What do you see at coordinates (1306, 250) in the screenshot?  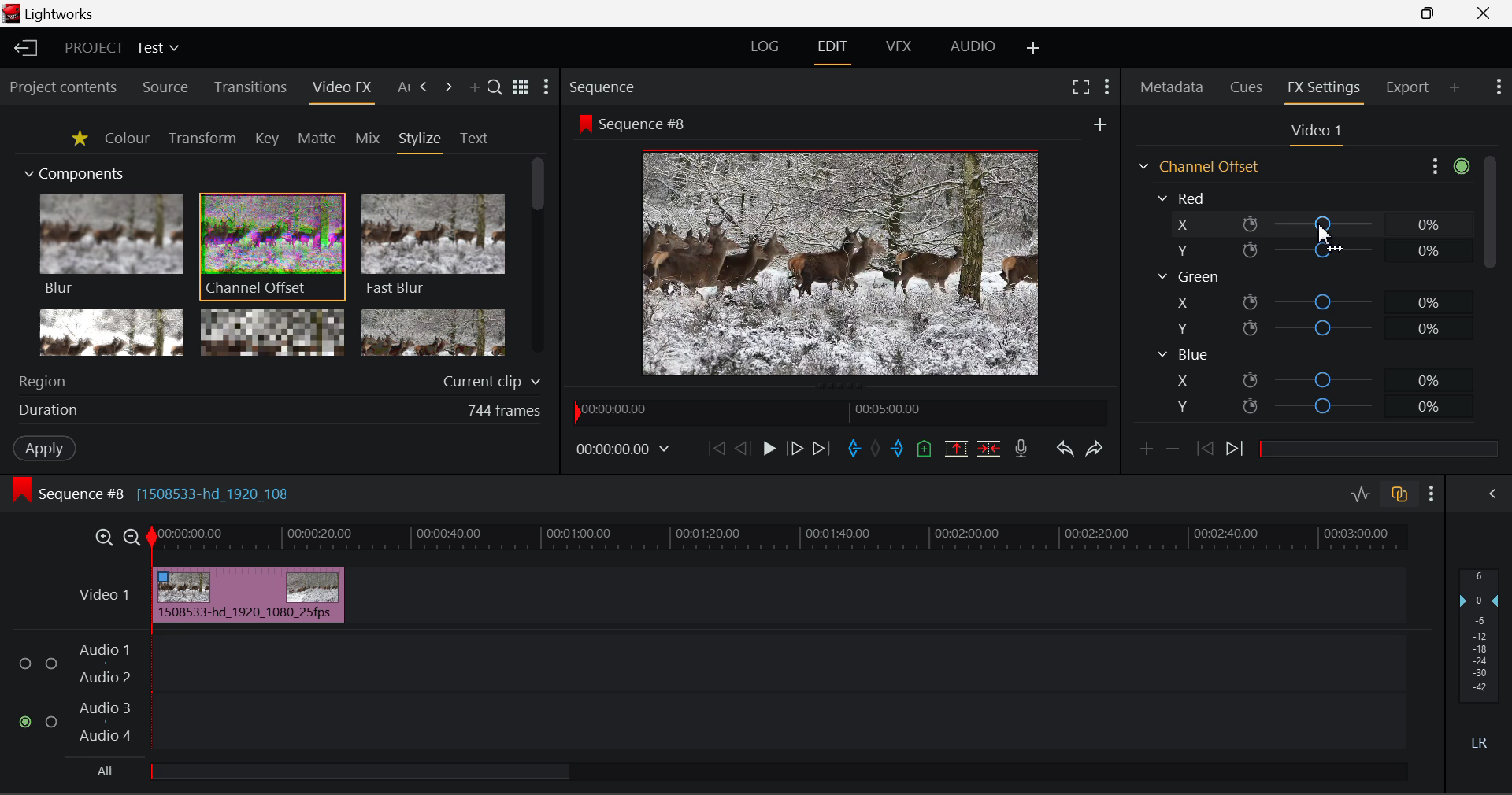 I see `Red Y` at bounding box center [1306, 250].